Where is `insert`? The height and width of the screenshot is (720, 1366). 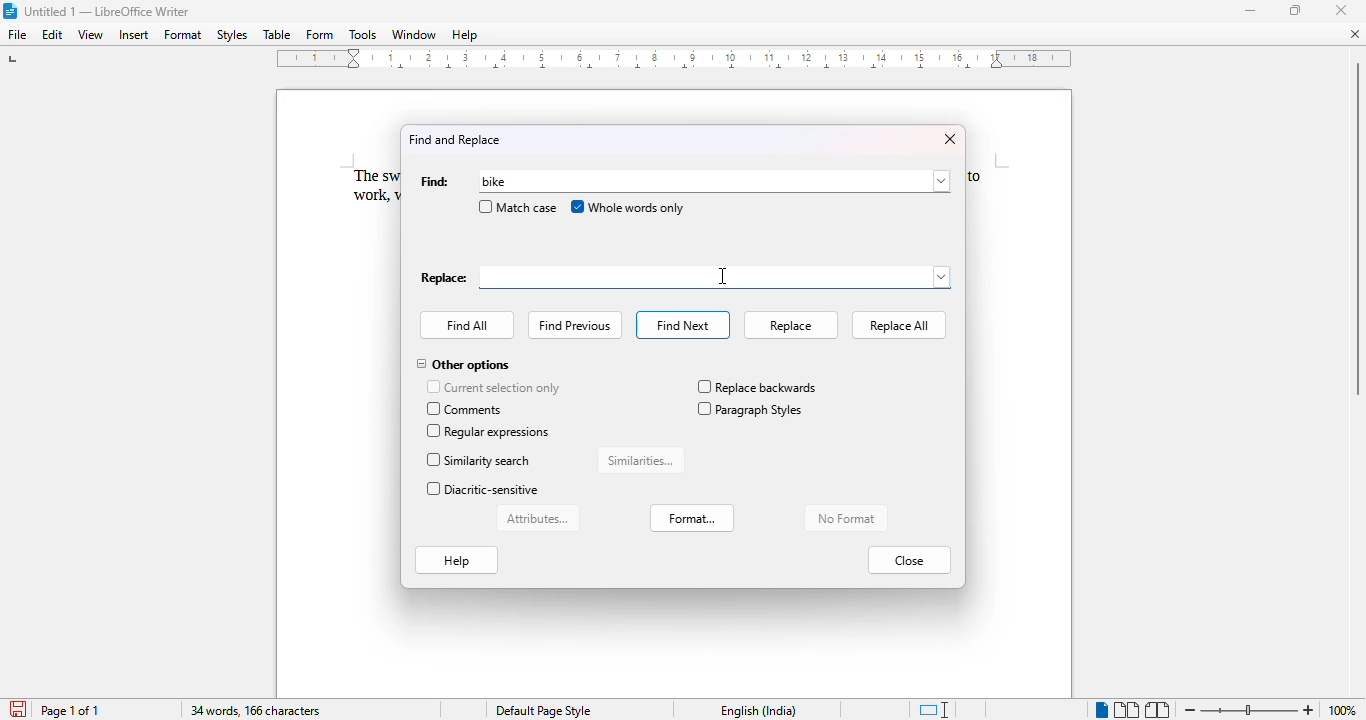 insert is located at coordinates (133, 35).